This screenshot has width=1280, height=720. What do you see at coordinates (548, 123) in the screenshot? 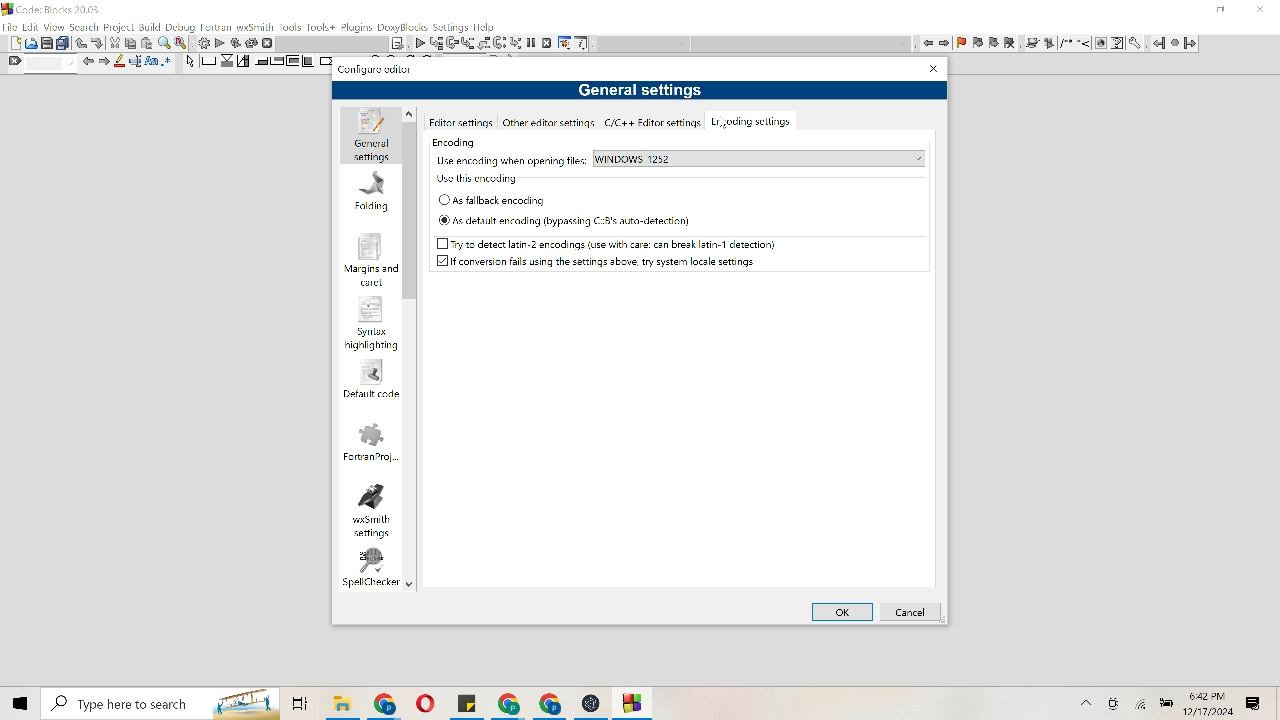
I see `Other editor settings` at bounding box center [548, 123].